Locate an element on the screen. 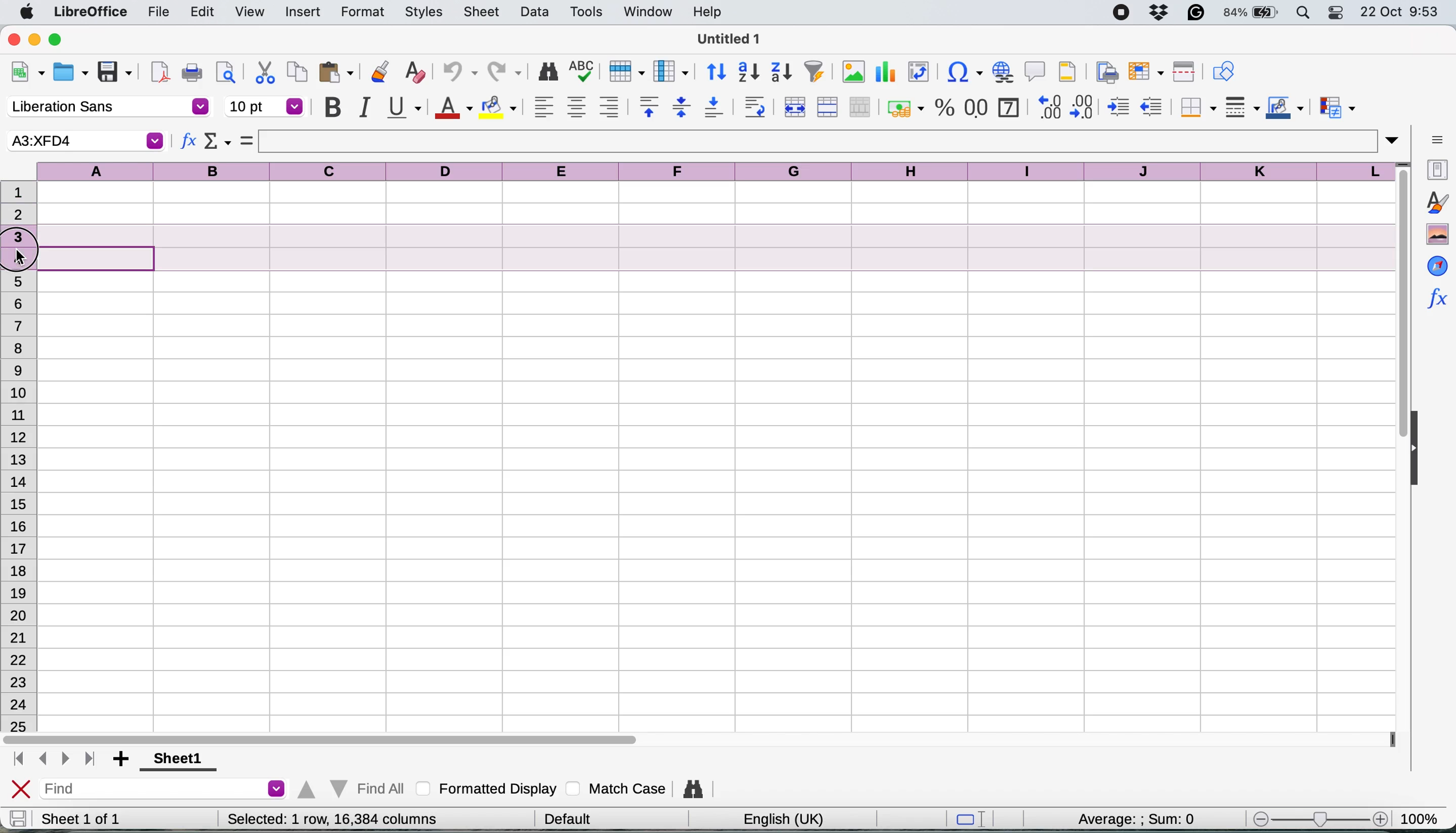 The height and width of the screenshot is (833, 1456). wrap text is located at coordinates (755, 106).